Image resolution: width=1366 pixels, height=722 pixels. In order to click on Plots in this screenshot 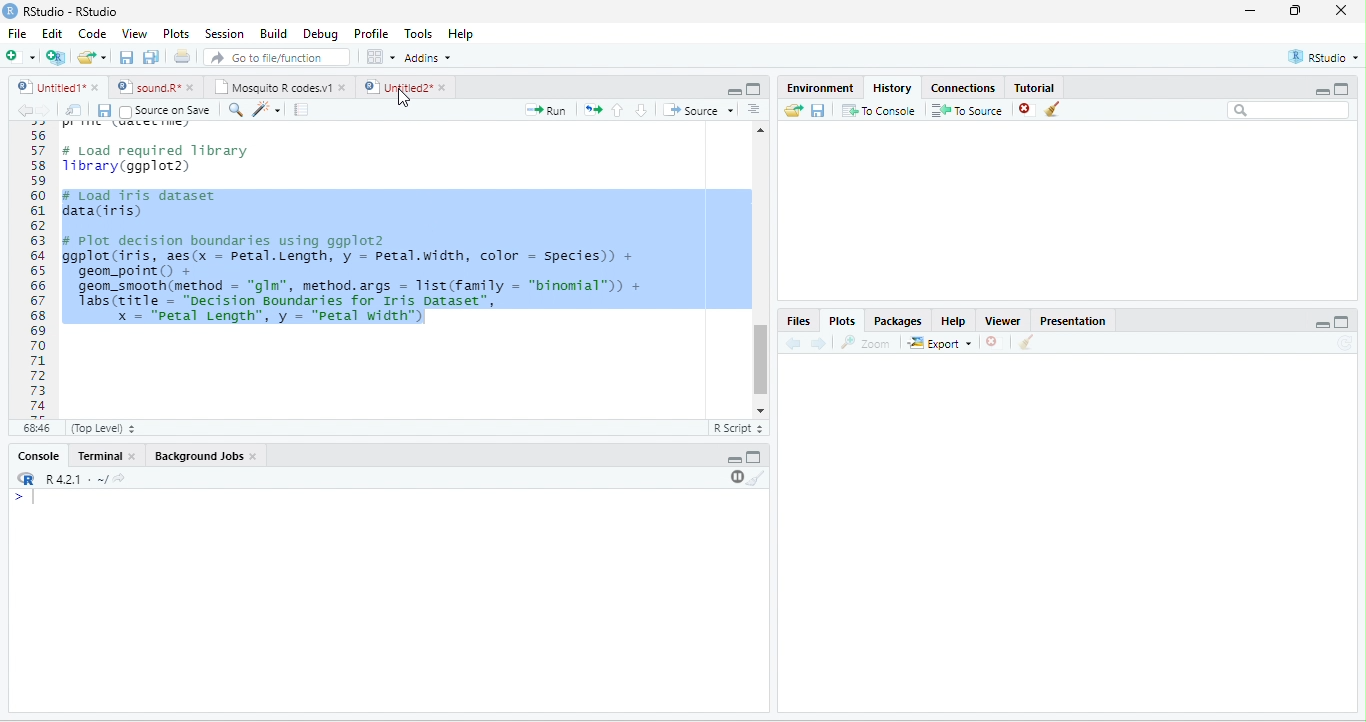, I will do `click(176, 34)`.